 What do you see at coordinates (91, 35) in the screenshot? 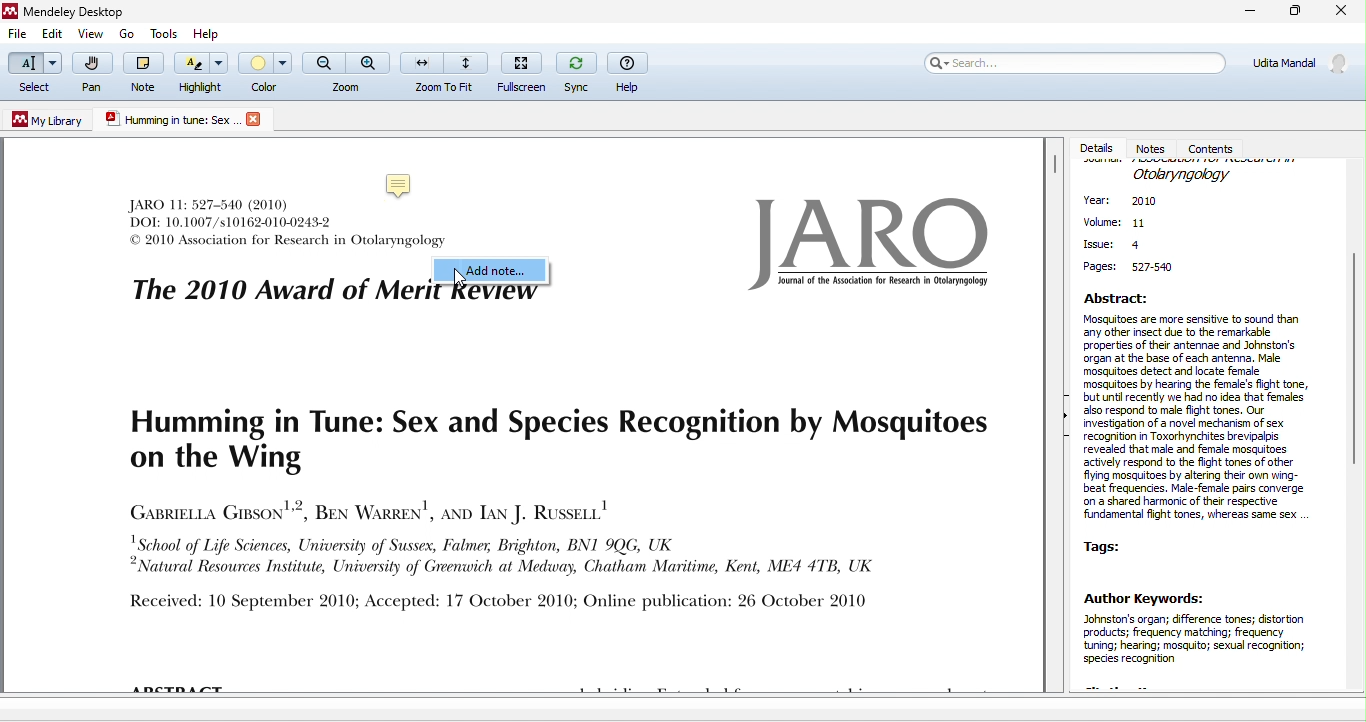
I see `view` at bounding box center [91, 35].